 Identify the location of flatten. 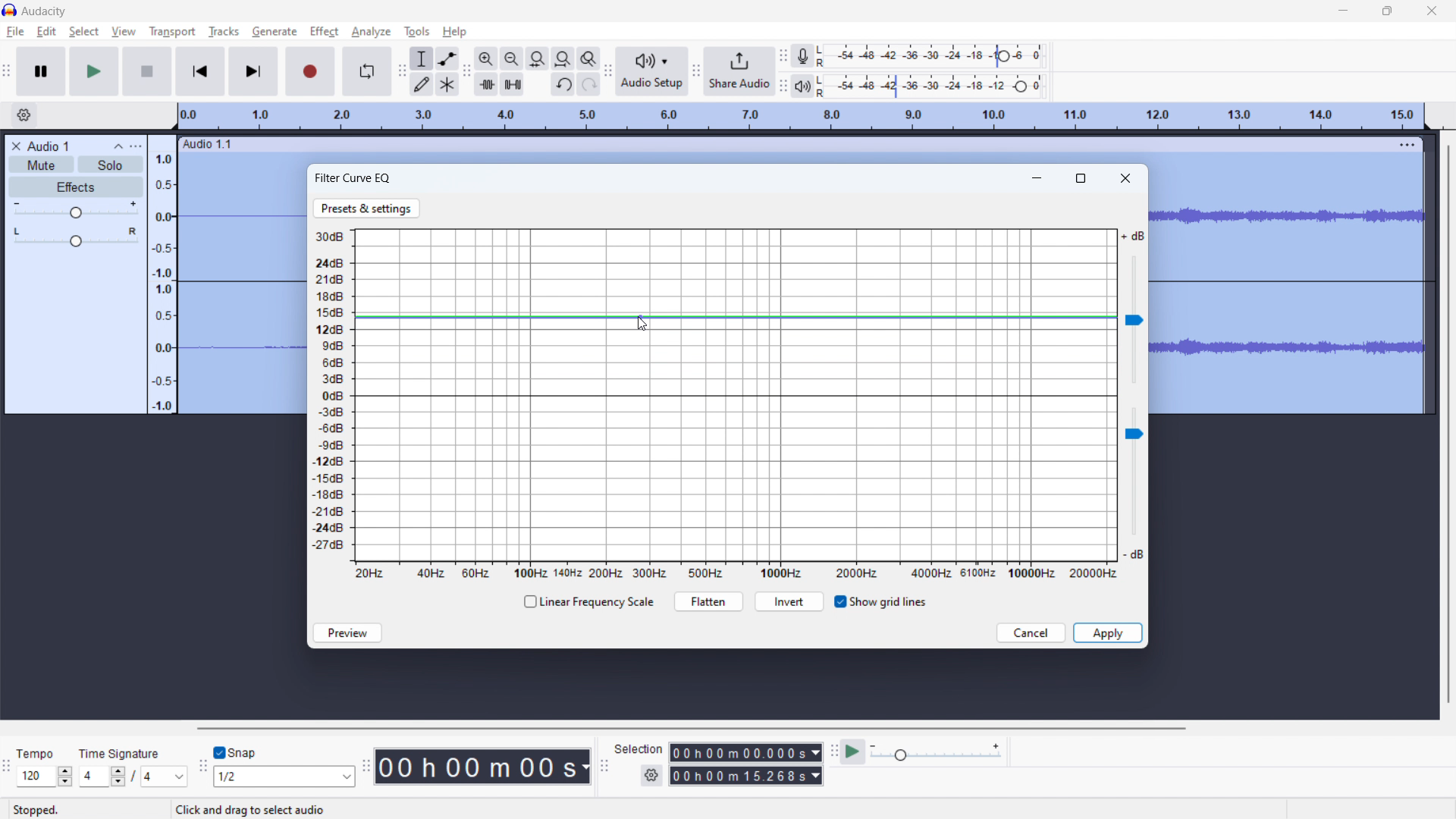
(708, 601).